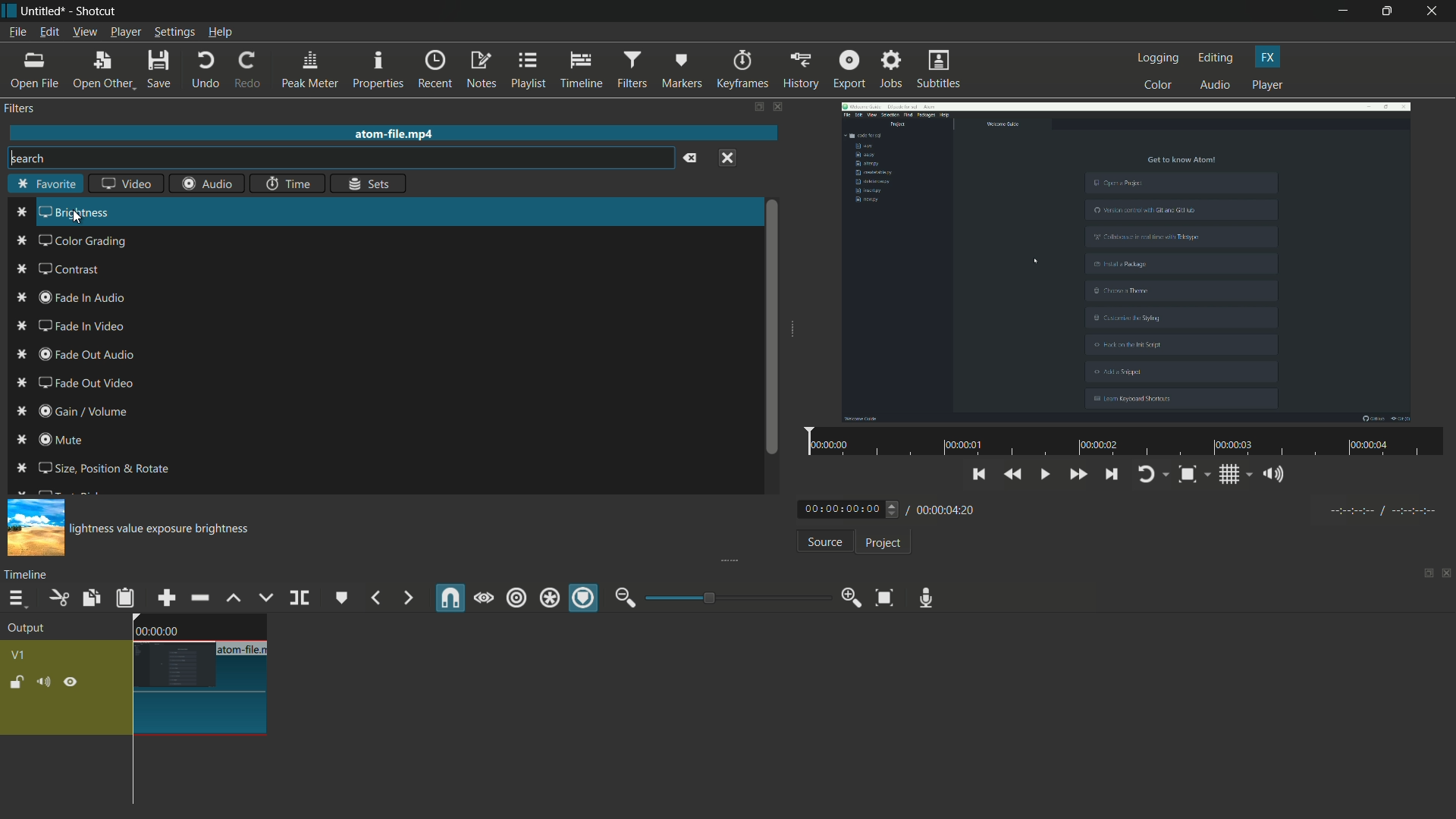 This screenshot has height=819, width=1456. I want to click on toggle player logging, so click(1153, 474).